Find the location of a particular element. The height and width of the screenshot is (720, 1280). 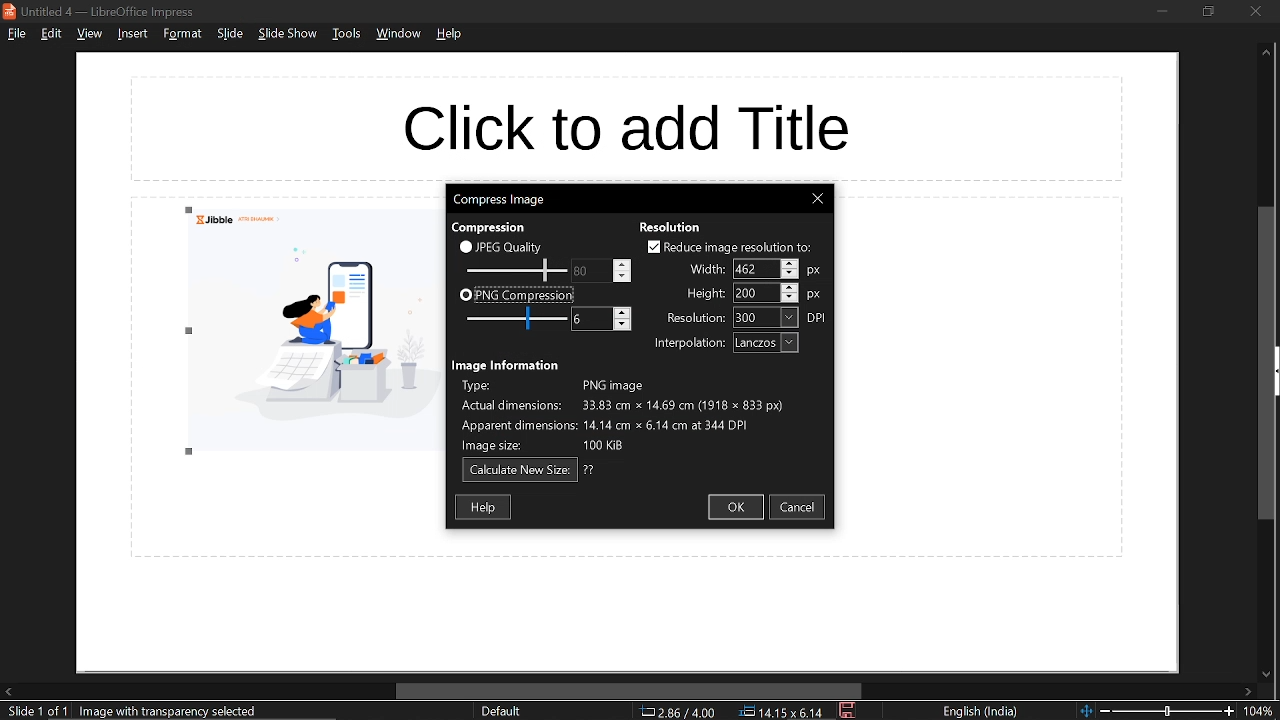

restore down is located at coordinates (1207, 11).